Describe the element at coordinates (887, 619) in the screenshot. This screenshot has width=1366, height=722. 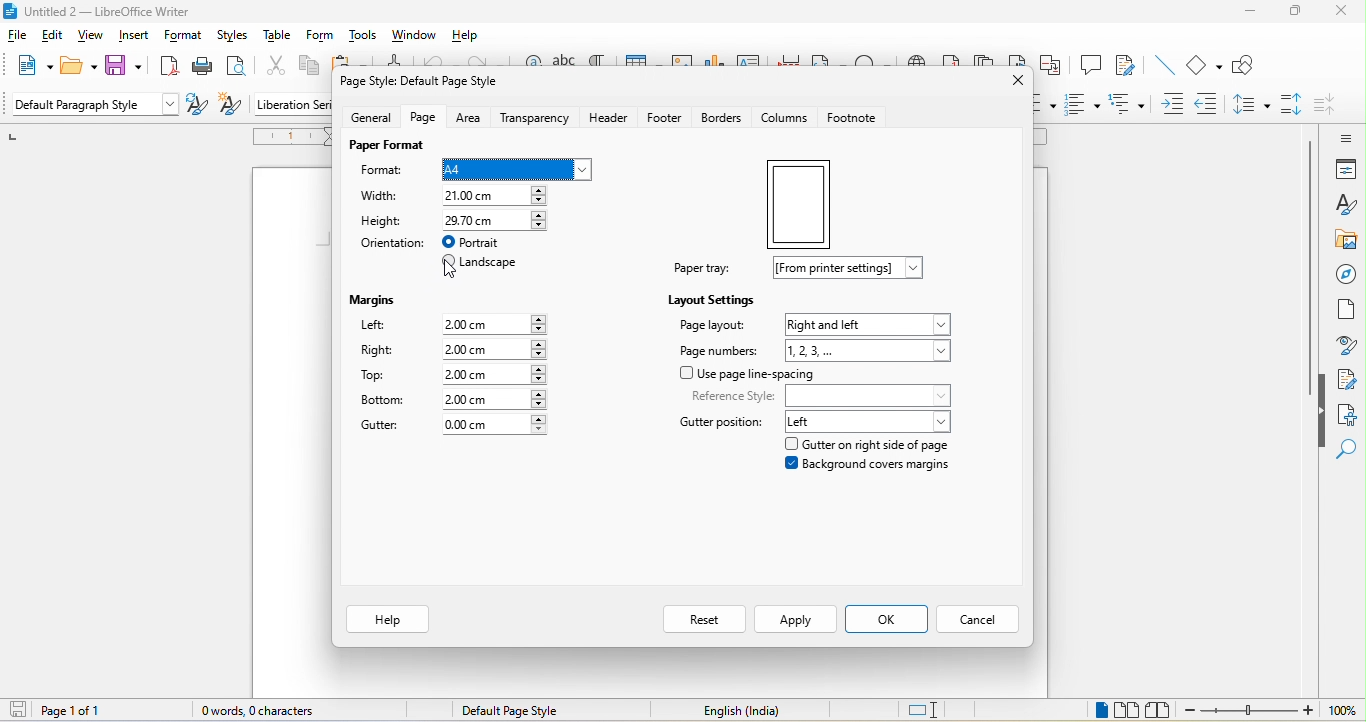
I see `ok` at that location.